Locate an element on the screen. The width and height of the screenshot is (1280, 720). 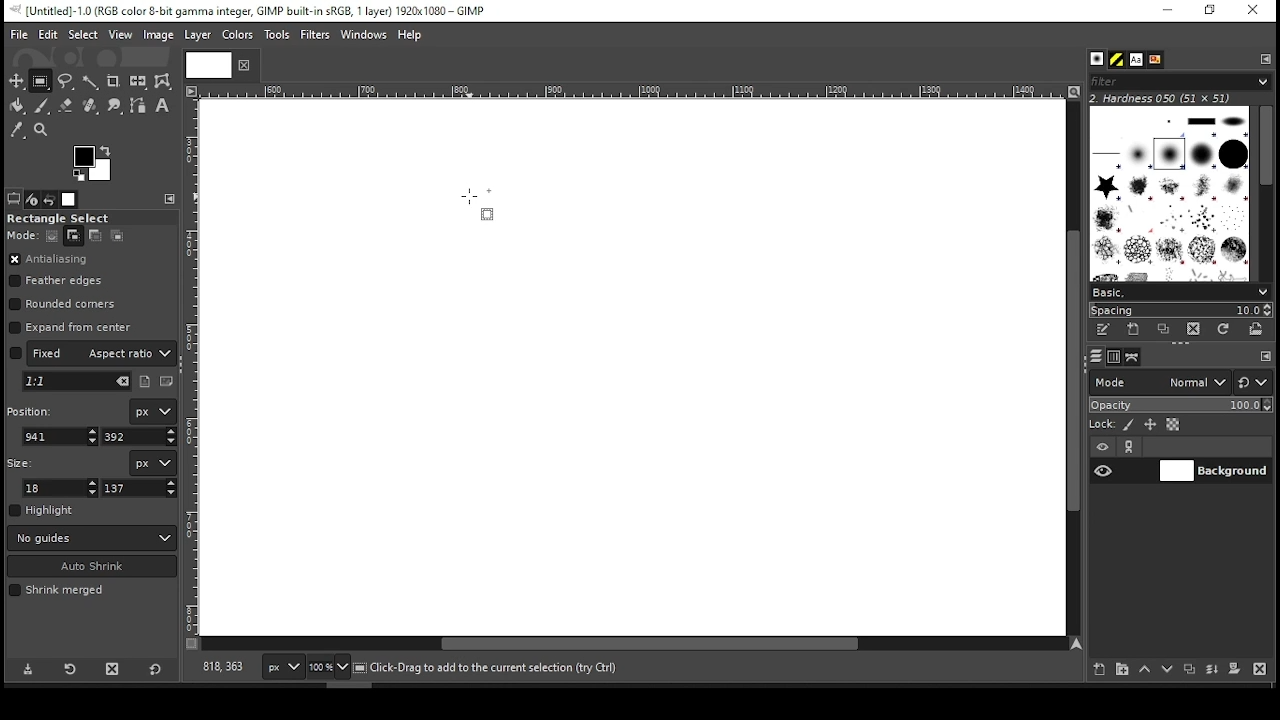
images is located at coordinates (70, 200).